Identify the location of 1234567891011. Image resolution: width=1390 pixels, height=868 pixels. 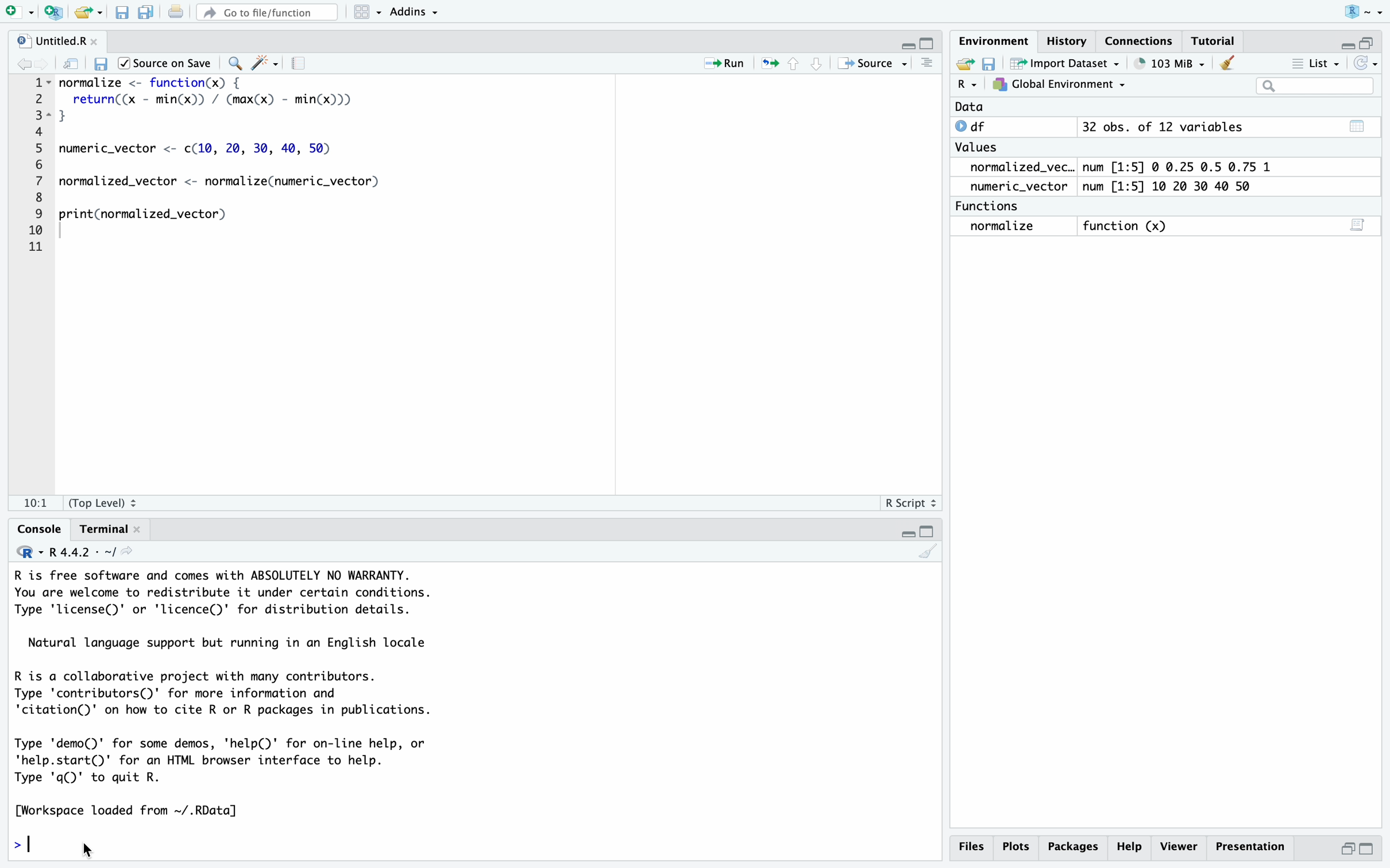
(32, 168).